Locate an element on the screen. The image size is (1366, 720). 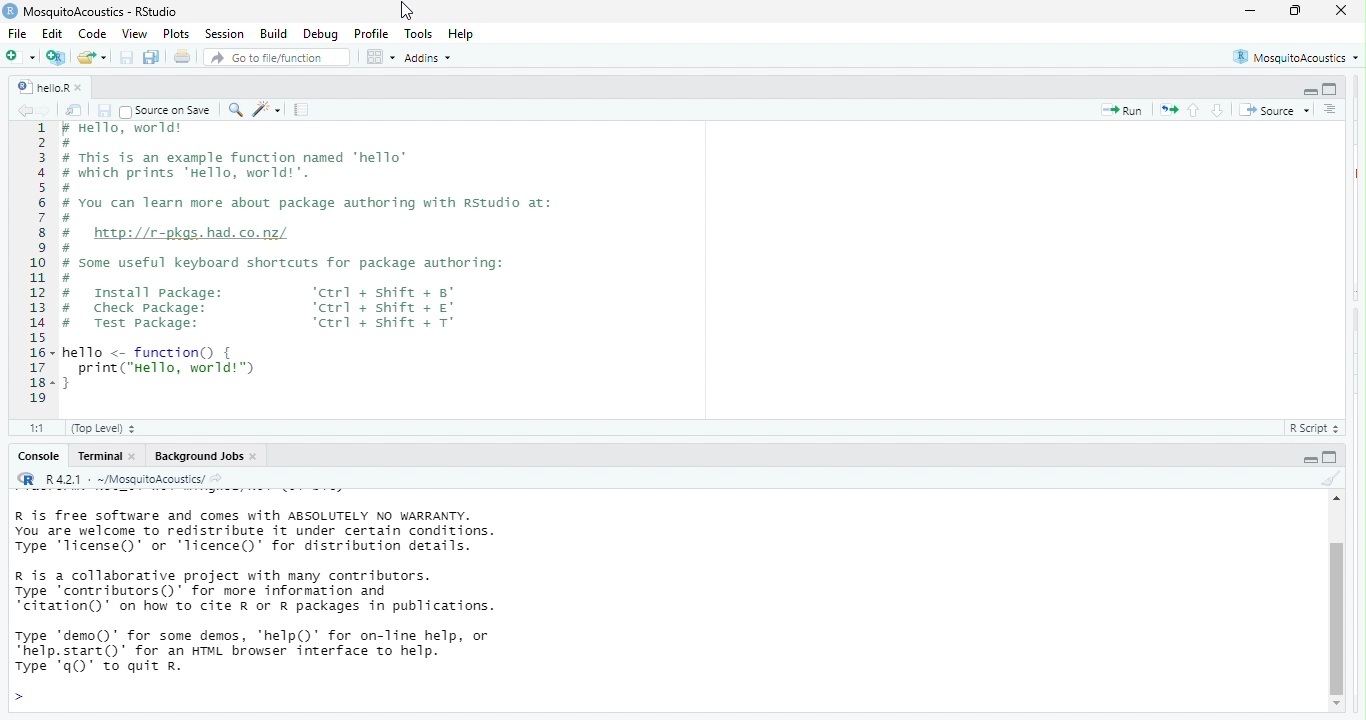
 Go to fie/function is located at coordinates (277, 58).